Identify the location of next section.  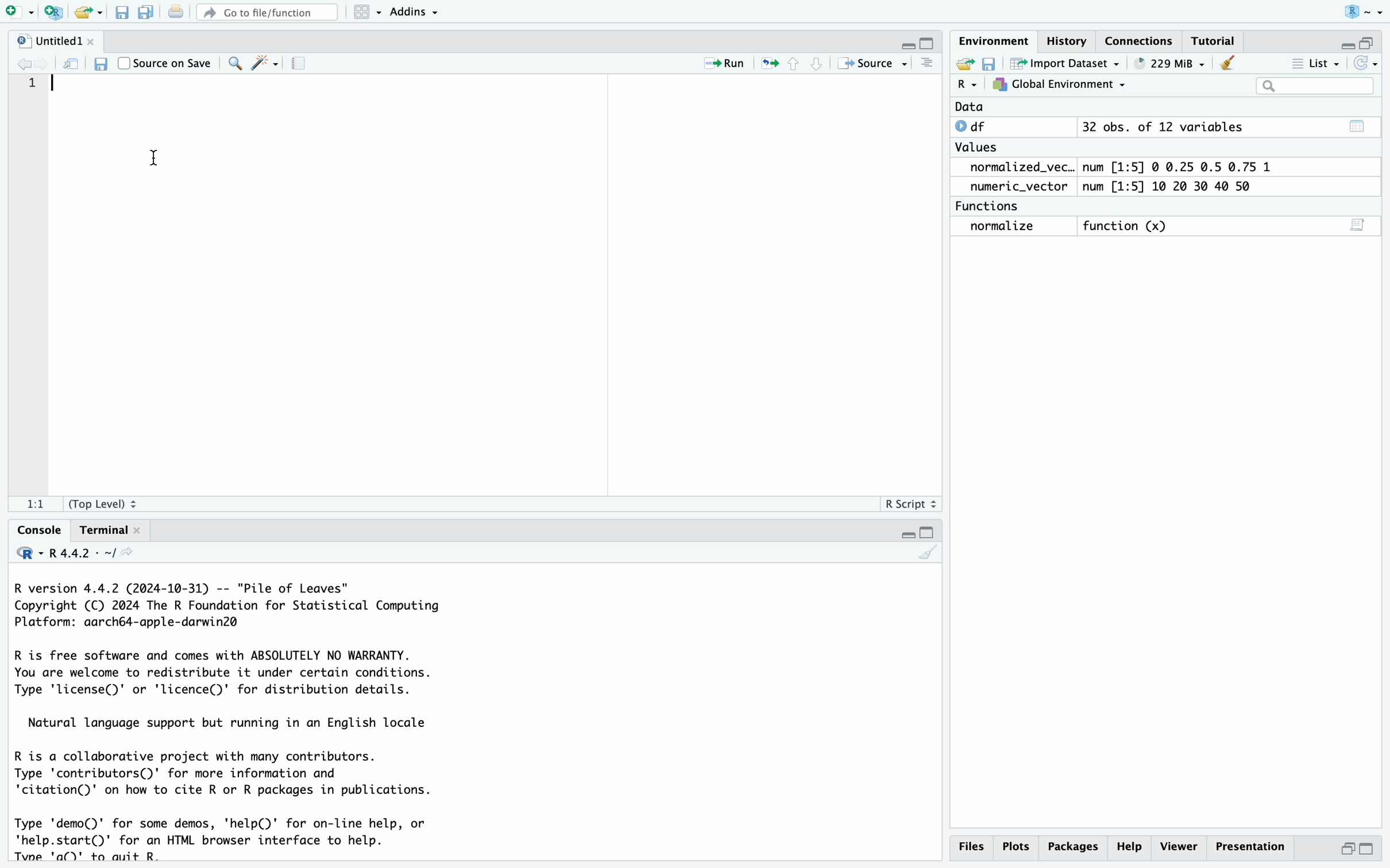
(819, 65).